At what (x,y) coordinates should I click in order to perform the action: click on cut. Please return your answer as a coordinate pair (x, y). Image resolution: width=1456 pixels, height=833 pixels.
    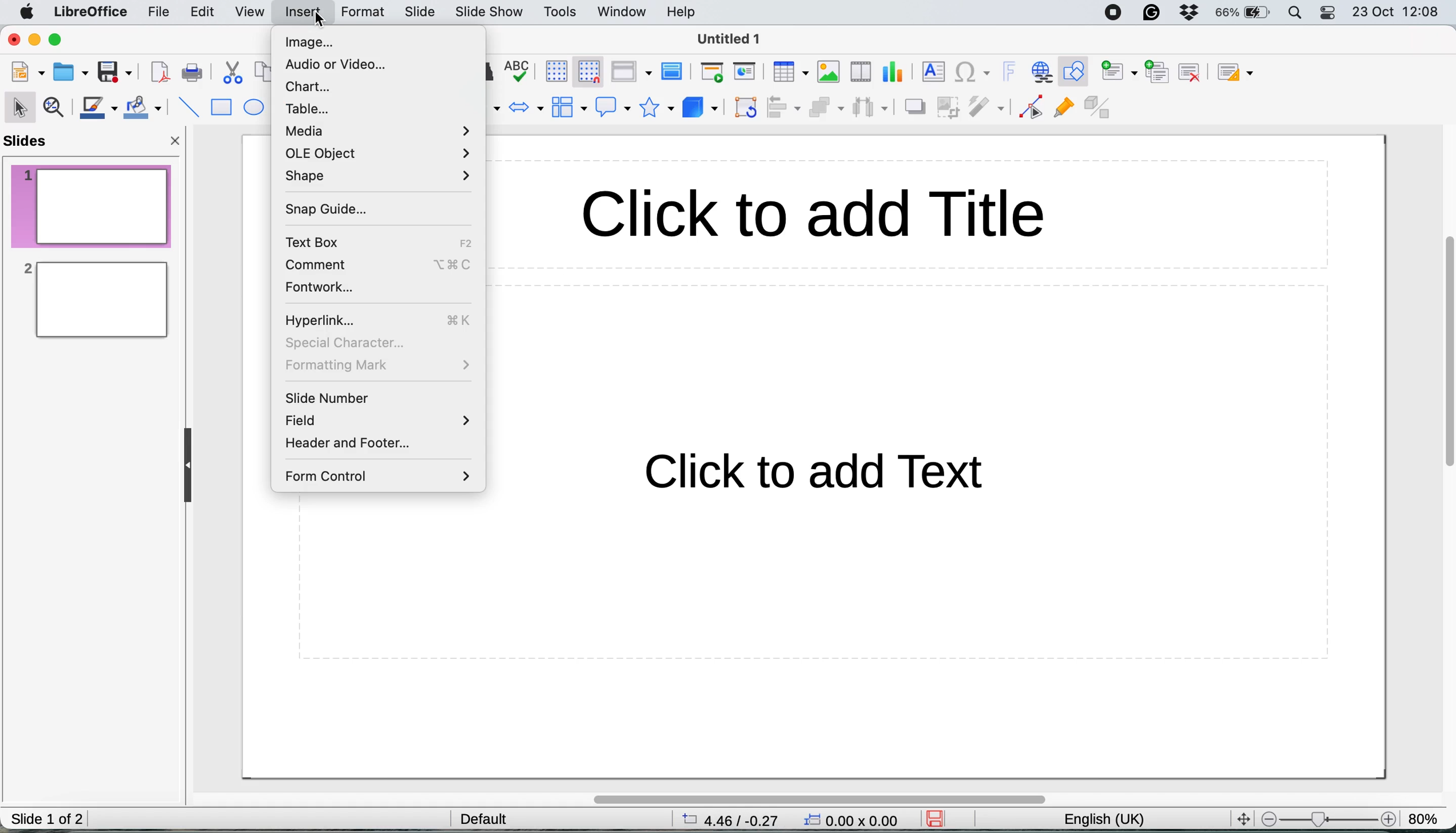
    Looking at the image, I should click on (234, 75).